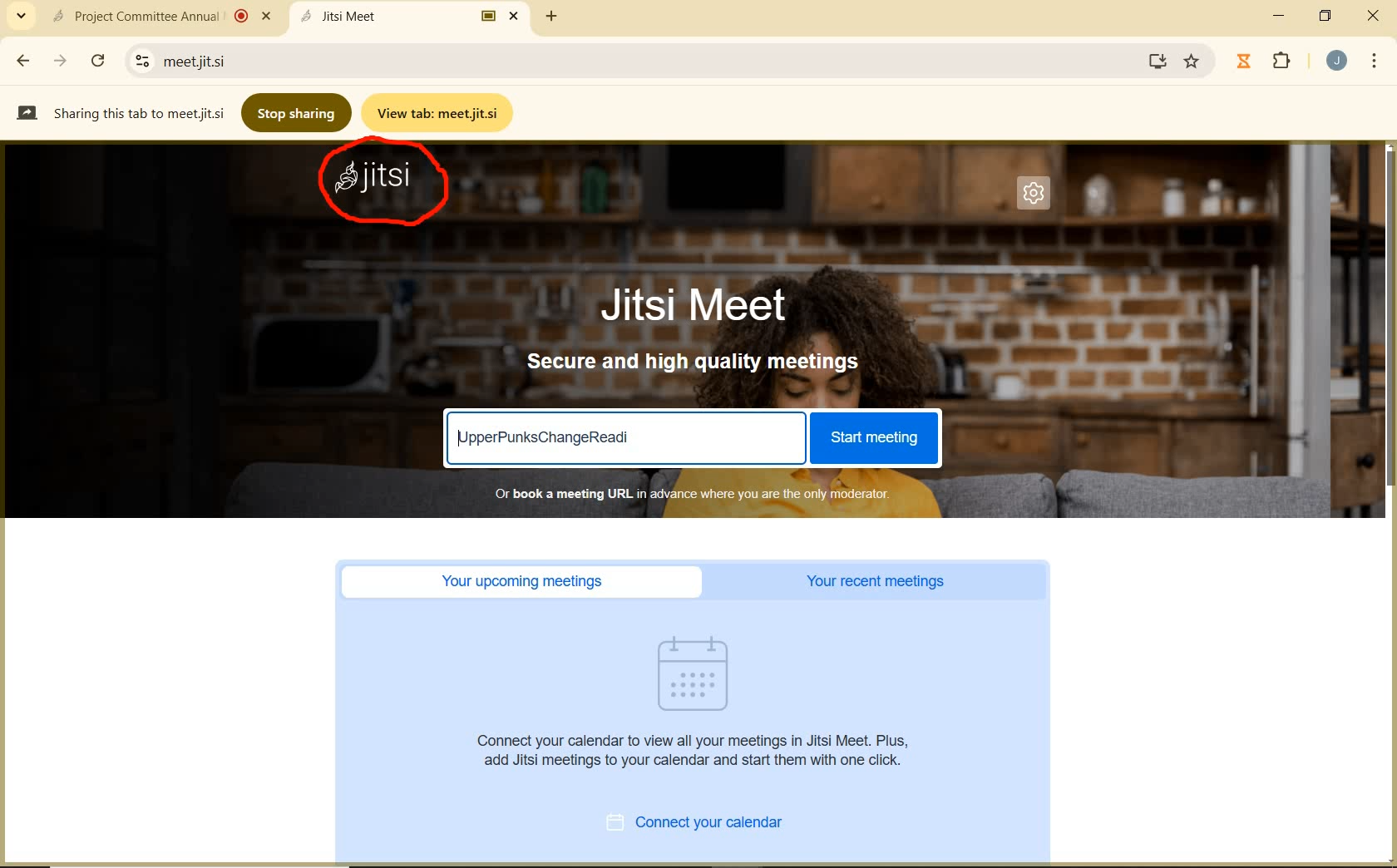 Image resolution: width=1397 pixels, height=868 pixels. What do you see at coordinates (62, 61) in the screenshot?
I see `FORWARD` at bounding box center [62, 61].